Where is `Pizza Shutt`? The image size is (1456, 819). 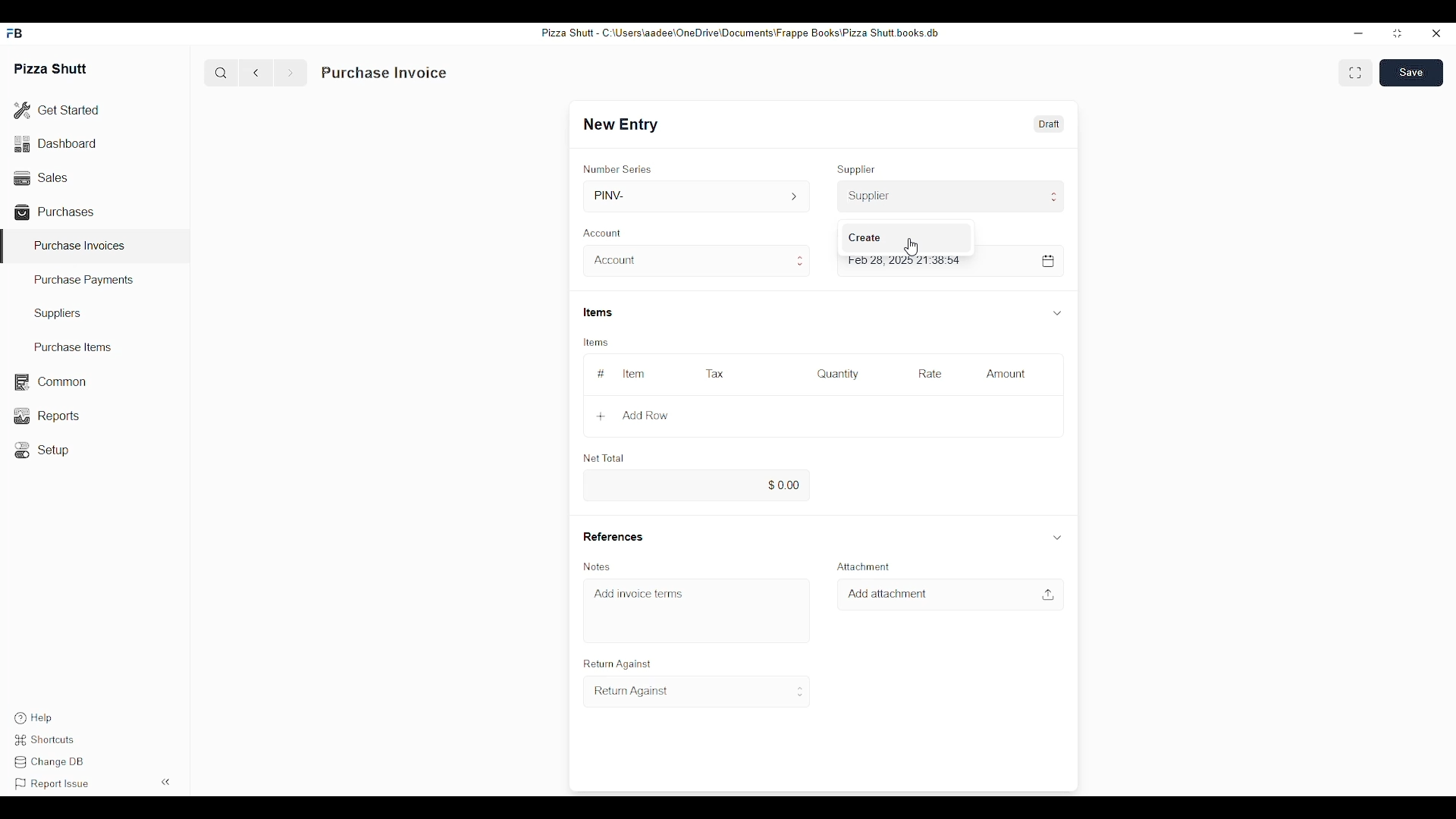
Pizza Shutt is located at coordinates (52, 67).